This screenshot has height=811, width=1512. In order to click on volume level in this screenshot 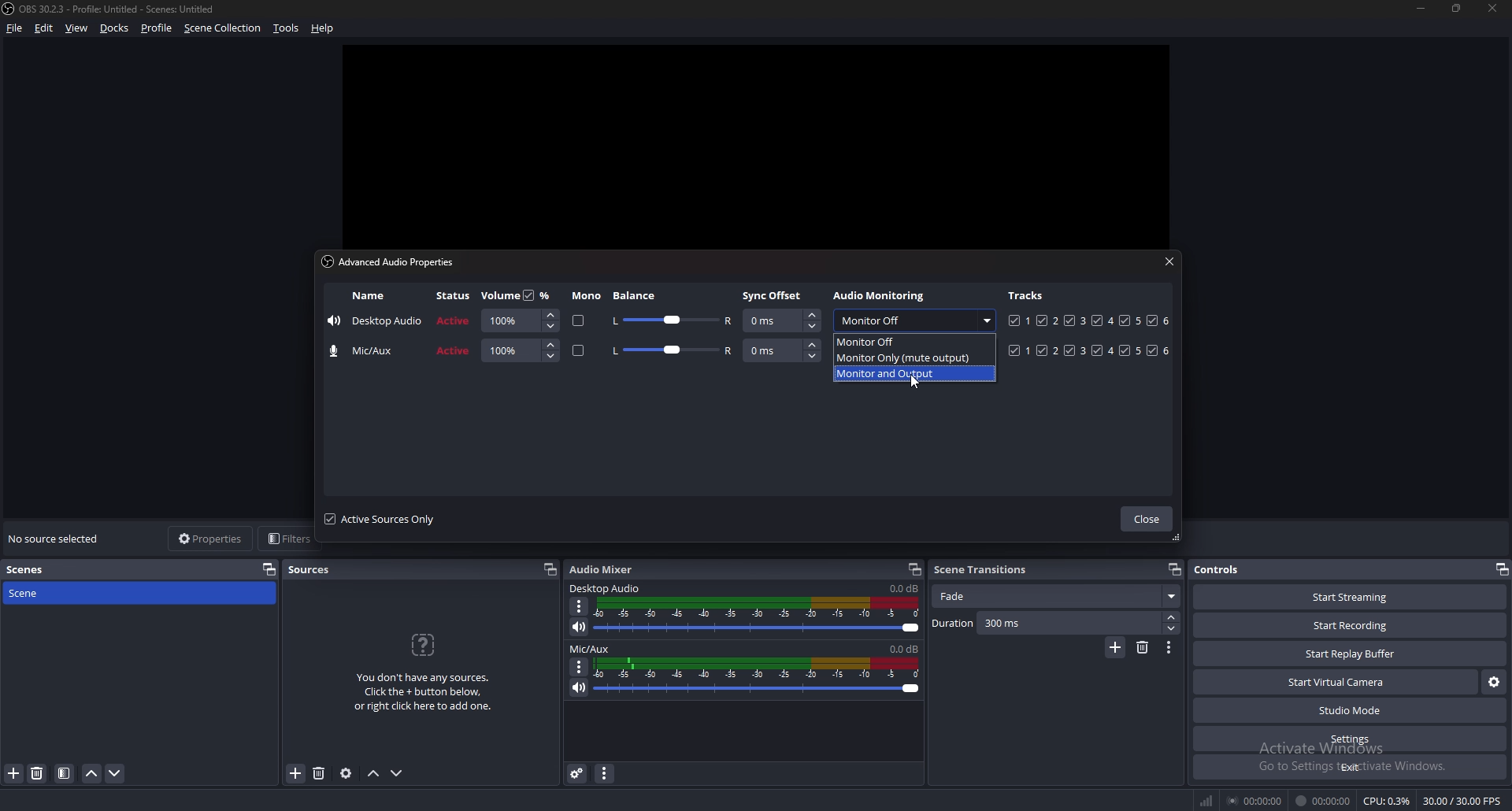, I will do `click(903, 588)`.